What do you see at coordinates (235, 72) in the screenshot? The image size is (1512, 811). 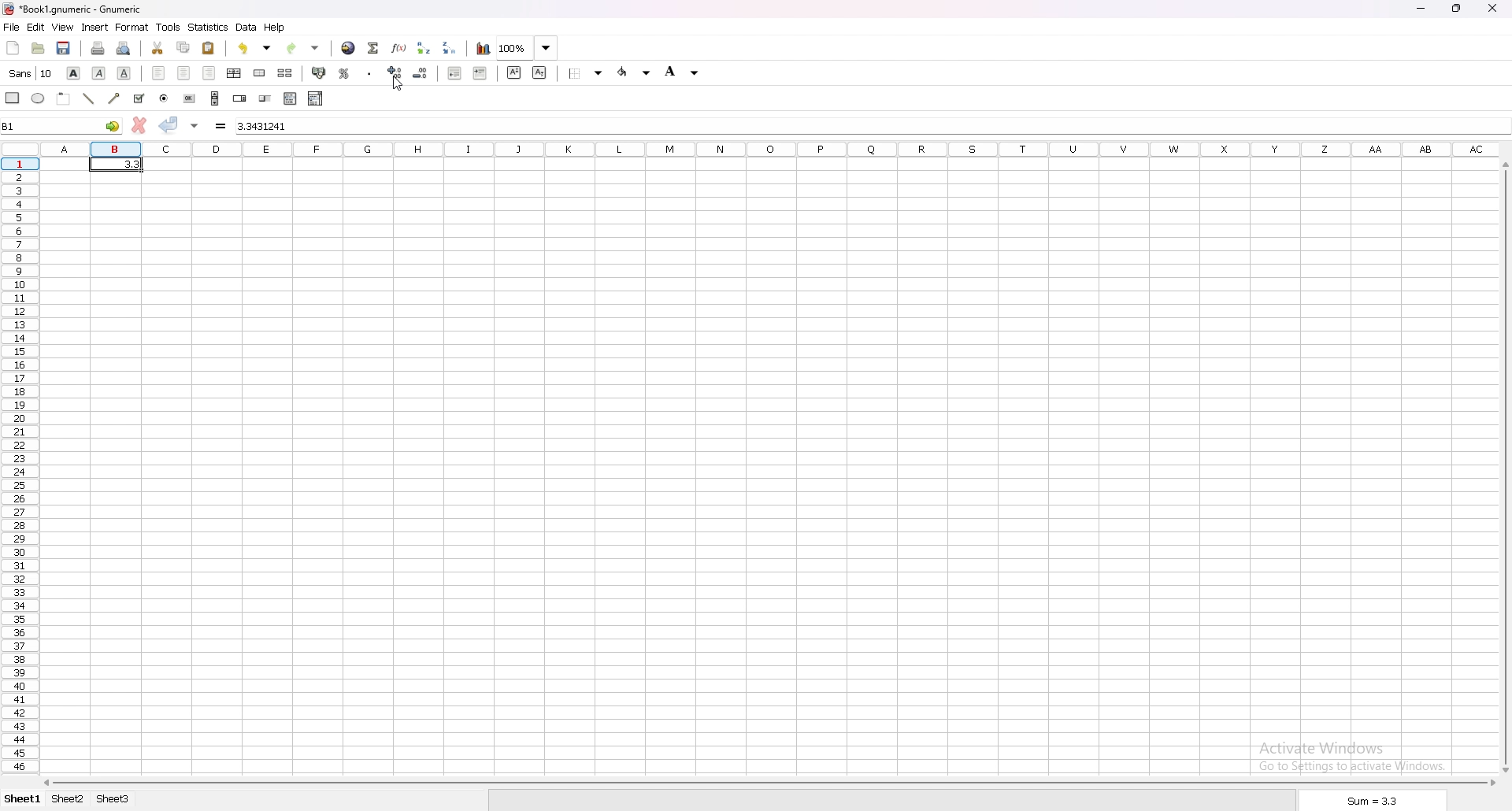 I see `centre horizontally` at bounding box center [235, 72].